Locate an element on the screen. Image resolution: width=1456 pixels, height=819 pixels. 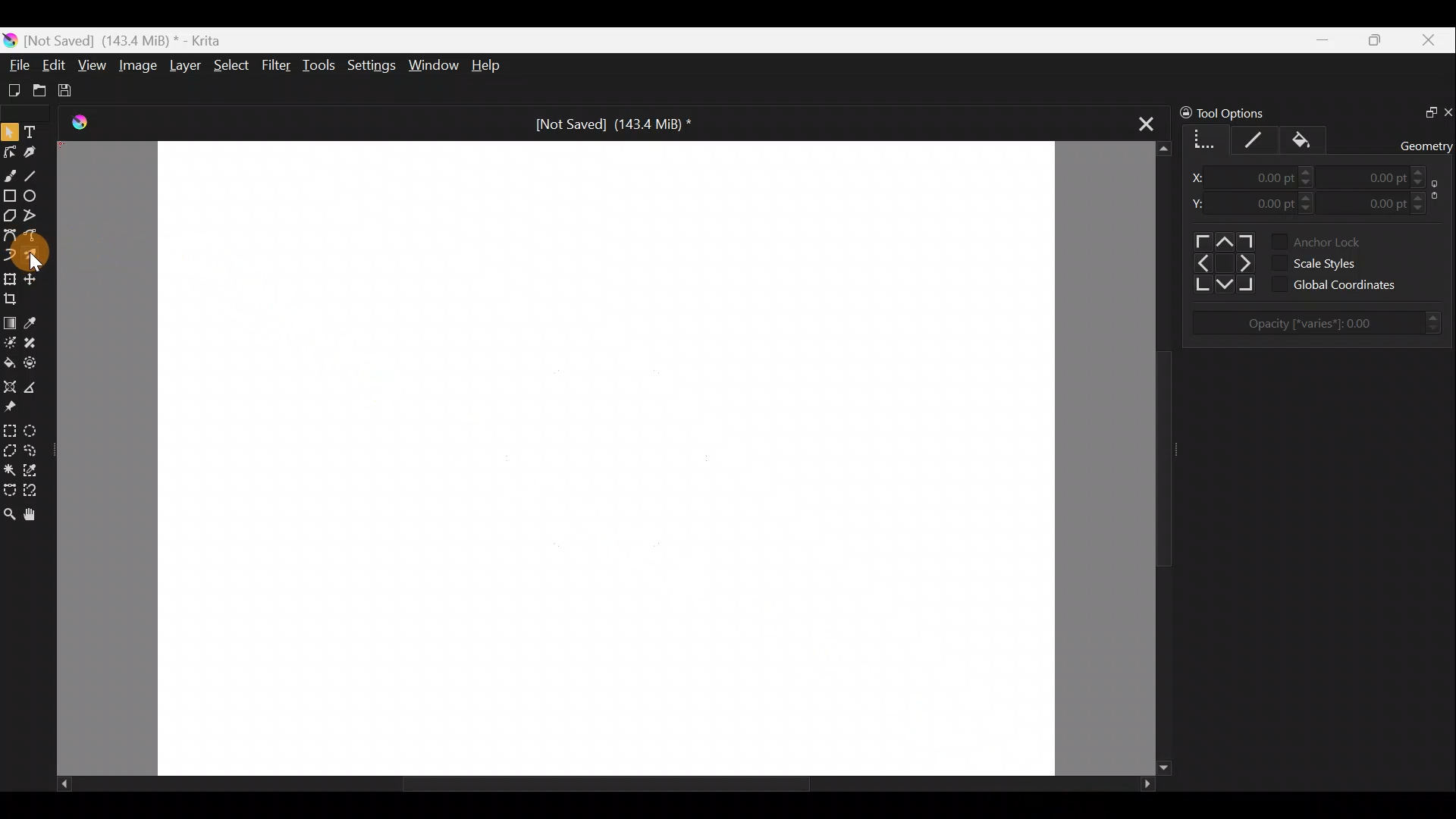
X-axis dimension is located at coordinates (1200, 177).